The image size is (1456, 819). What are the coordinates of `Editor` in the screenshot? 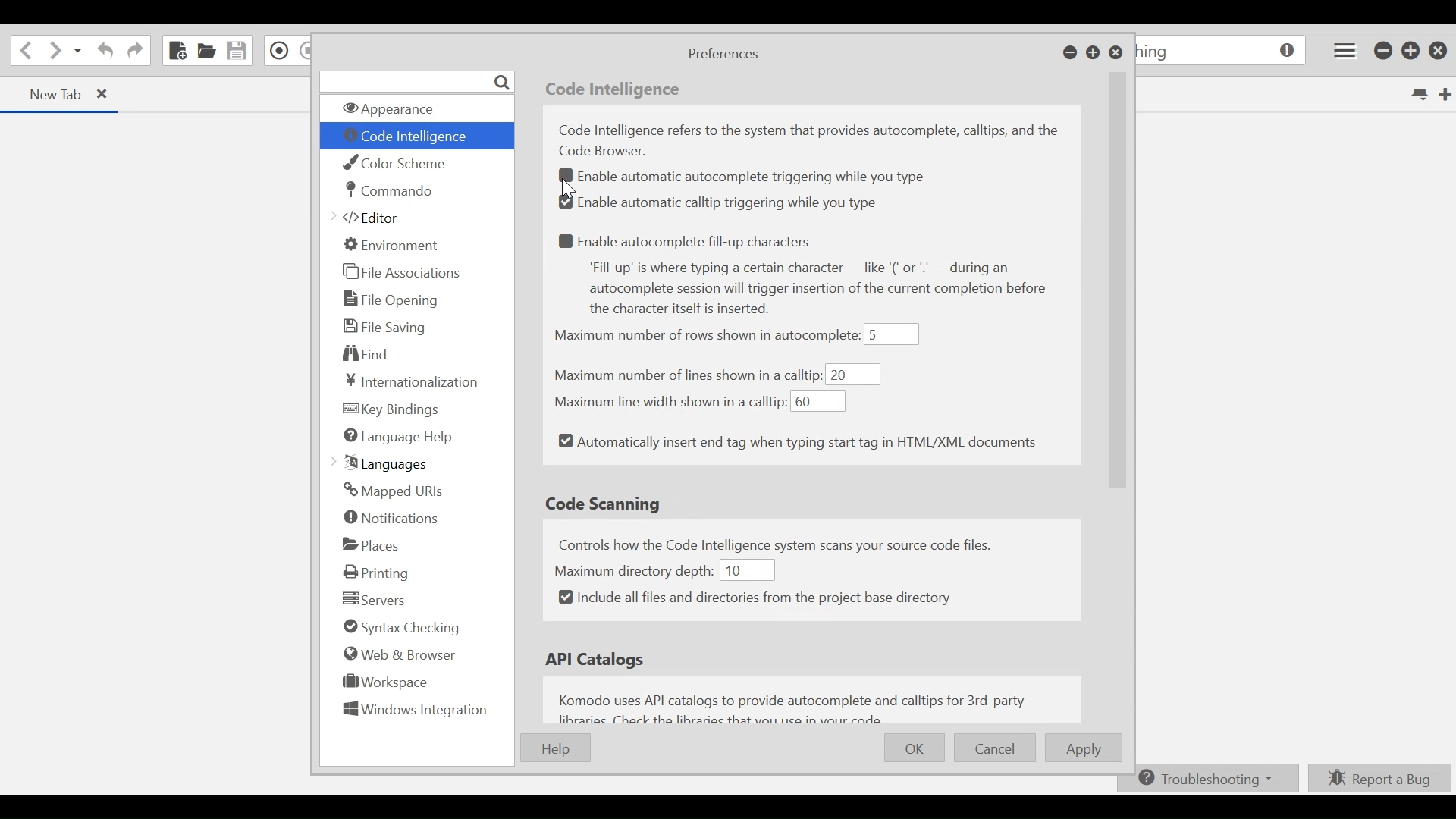 It's located at (372, 219).